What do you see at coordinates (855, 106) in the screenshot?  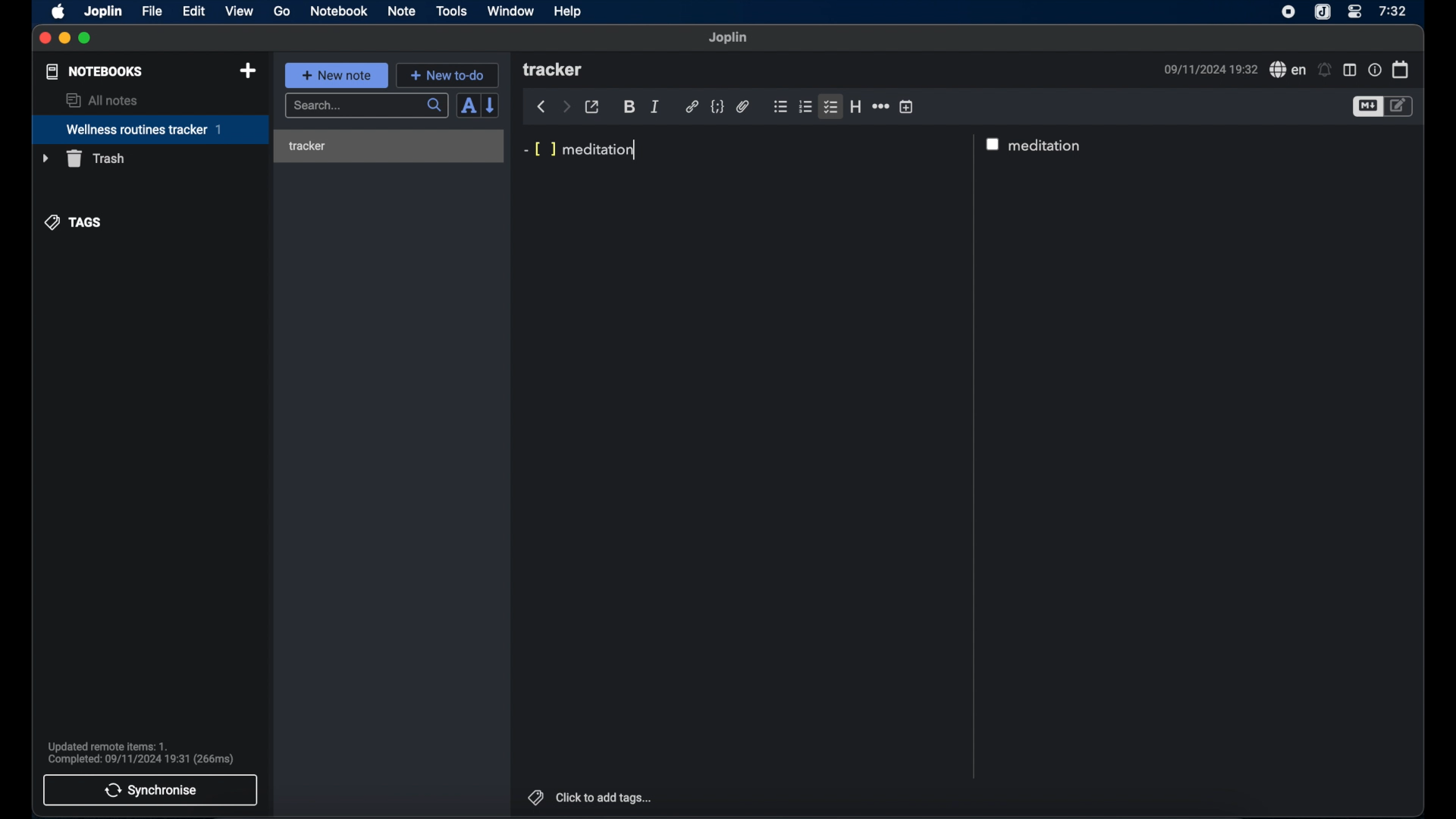 I see `heading` at bounding box center [855, 106].